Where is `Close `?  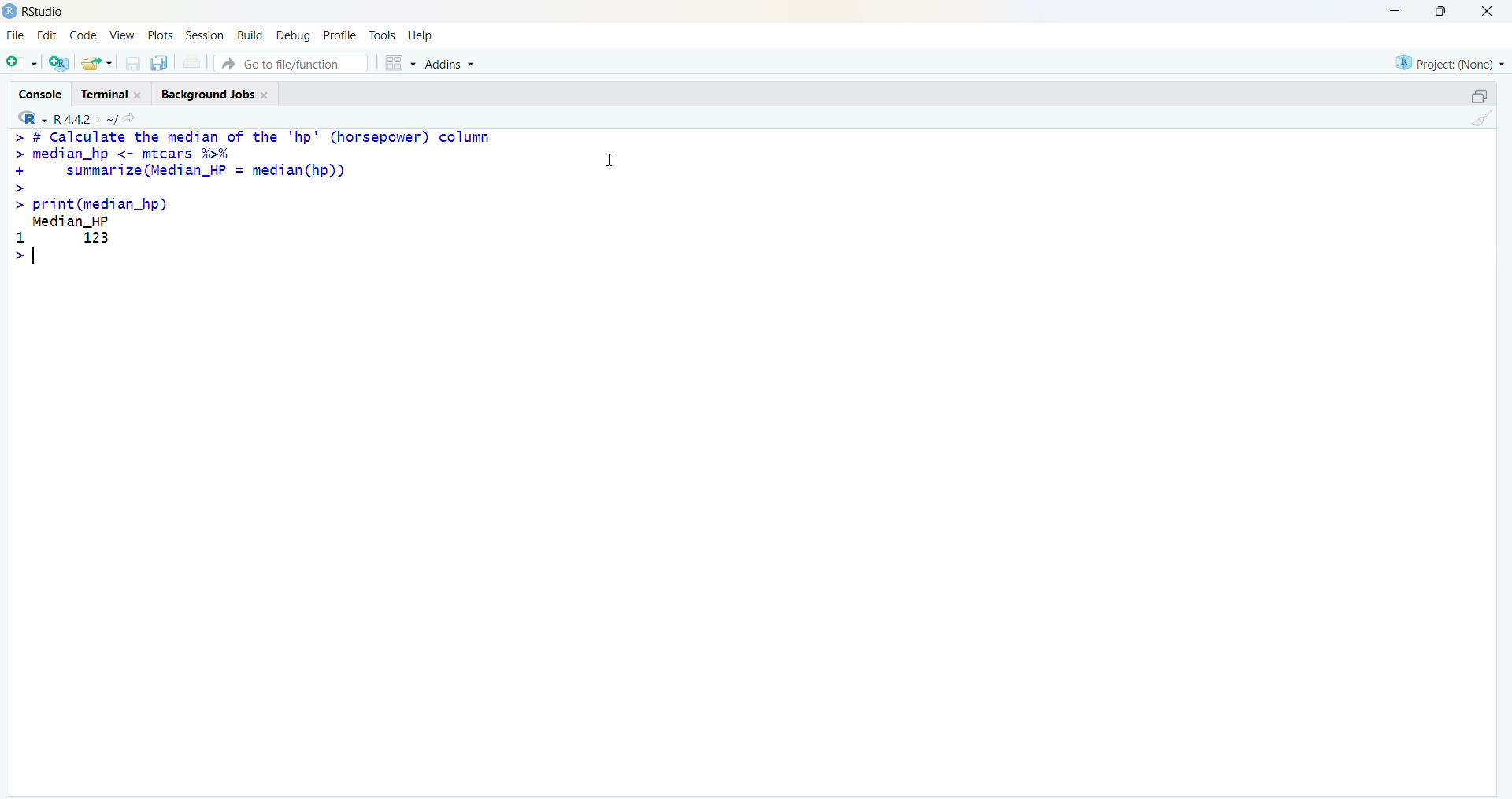 Close  is located at coordinates (266, 95).